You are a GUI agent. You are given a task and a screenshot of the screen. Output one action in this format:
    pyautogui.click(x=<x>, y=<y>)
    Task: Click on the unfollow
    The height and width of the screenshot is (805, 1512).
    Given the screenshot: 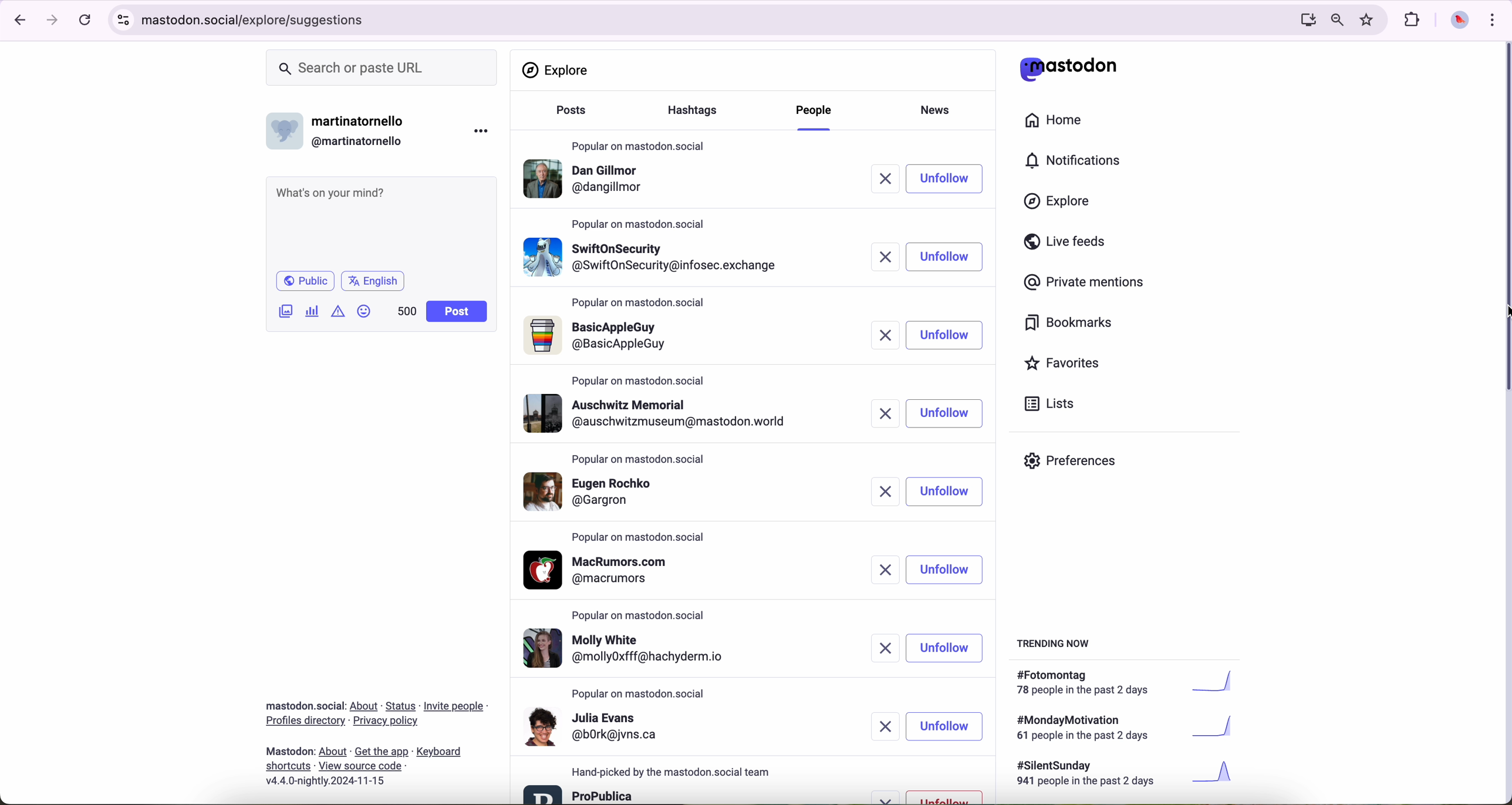 What is the action you would take?
    pyautogui.click(x=947, y=647)
    